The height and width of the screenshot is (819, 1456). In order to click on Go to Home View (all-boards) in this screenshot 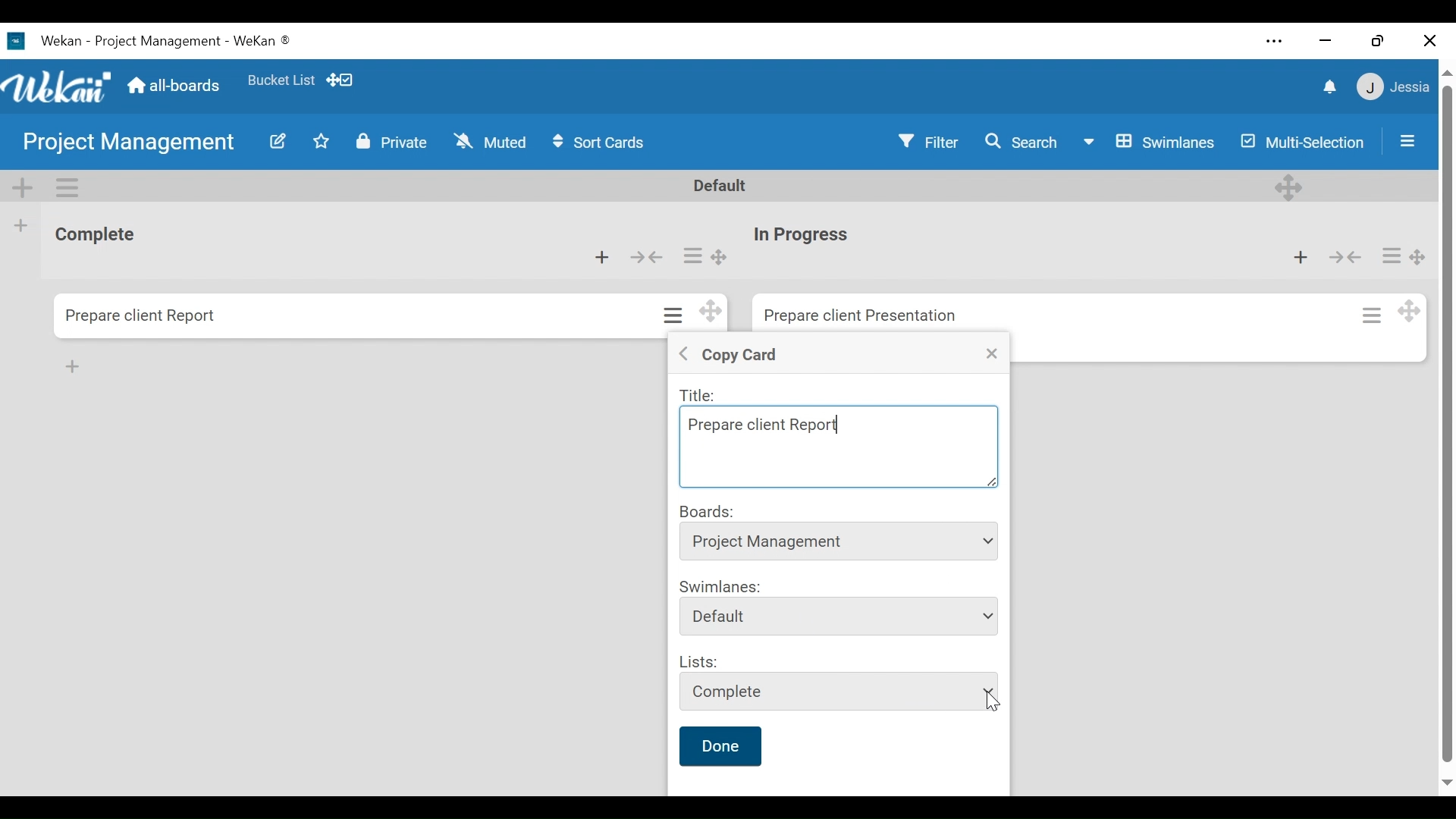, I will do `click(171, 86)`.